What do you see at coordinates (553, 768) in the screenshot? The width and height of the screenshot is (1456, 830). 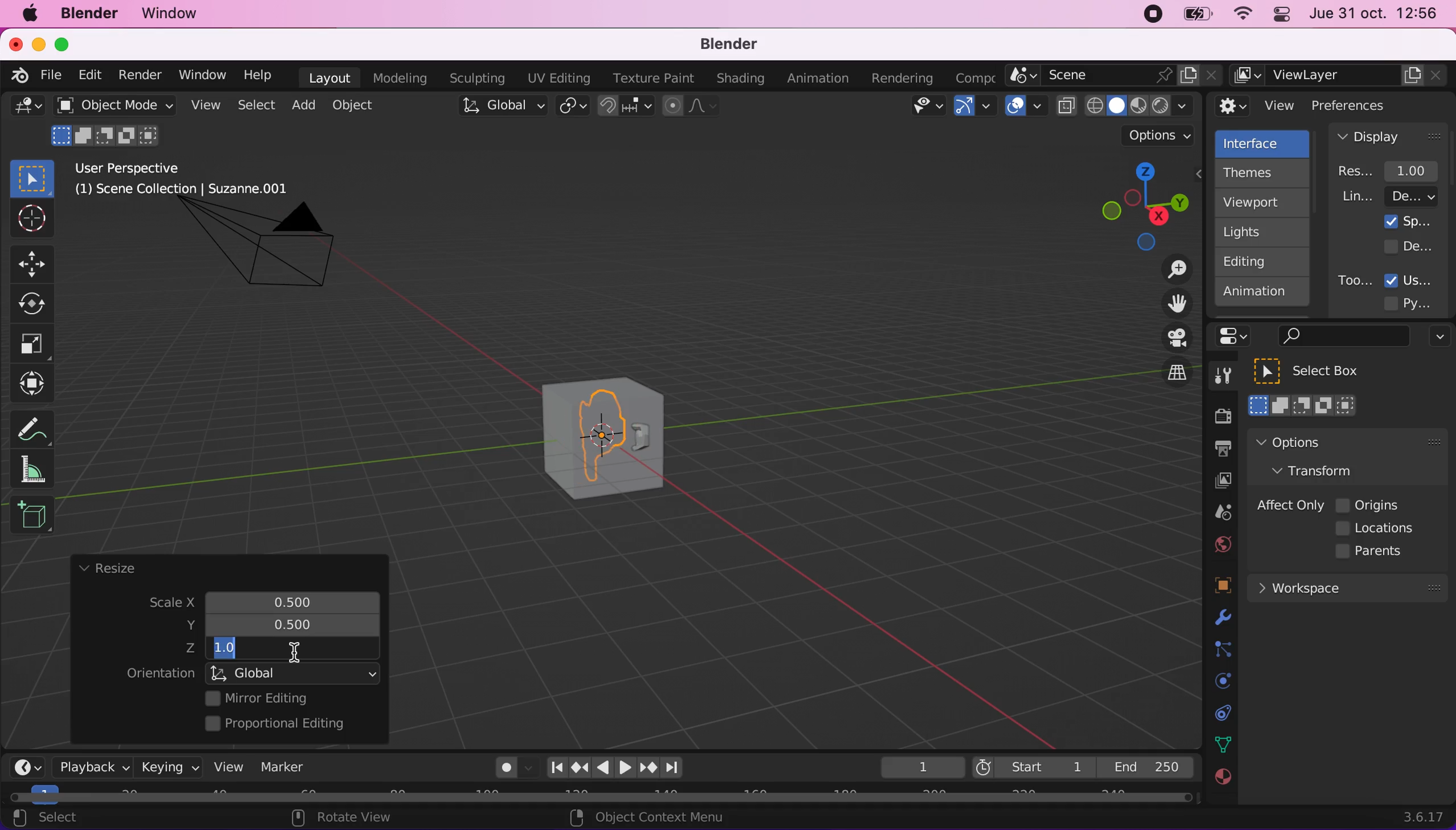 I see `jump to end point` at bounding box center [553, 768].